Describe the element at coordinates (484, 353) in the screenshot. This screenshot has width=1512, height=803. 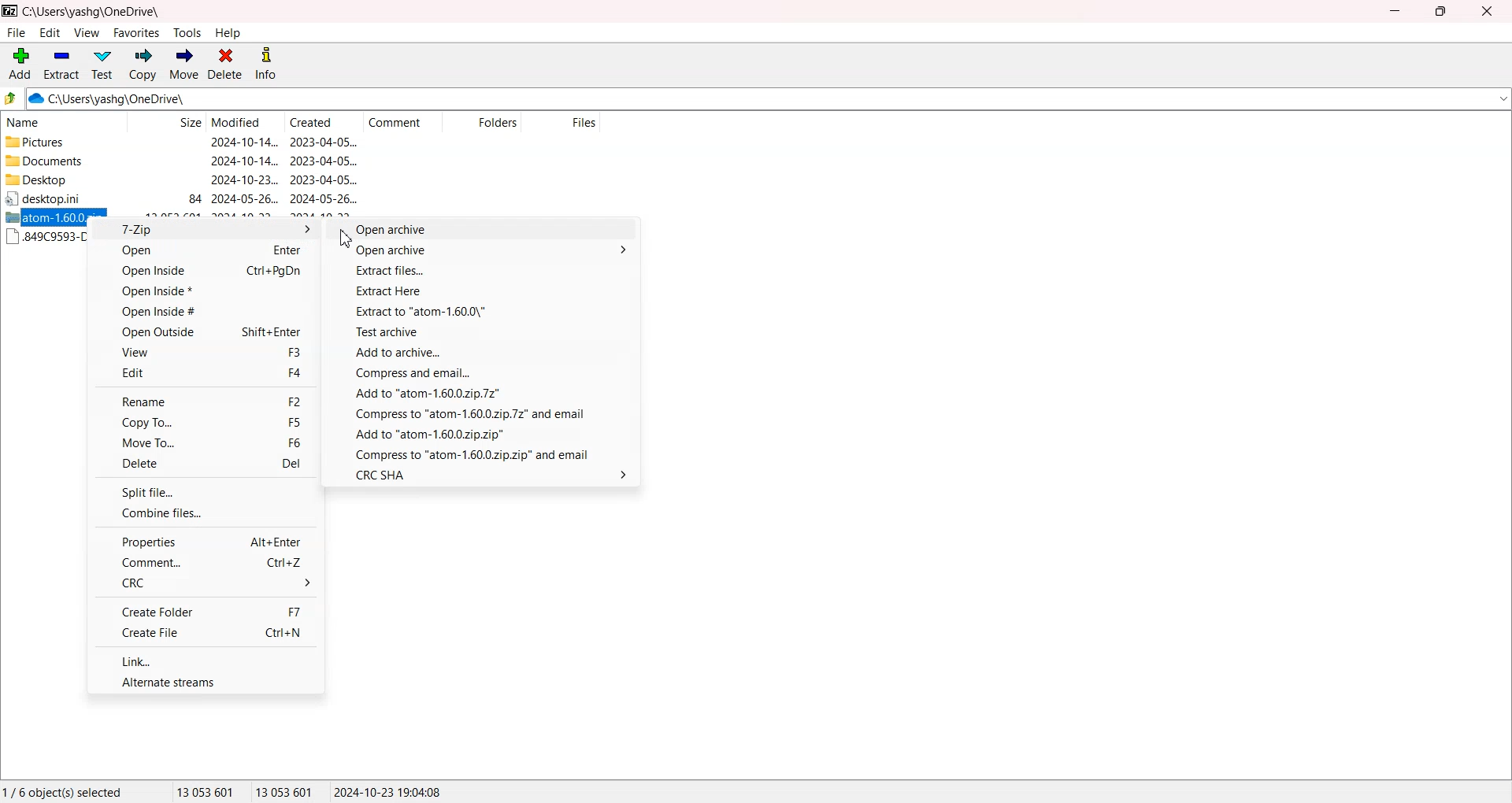
I see `Add to archive` at that location.